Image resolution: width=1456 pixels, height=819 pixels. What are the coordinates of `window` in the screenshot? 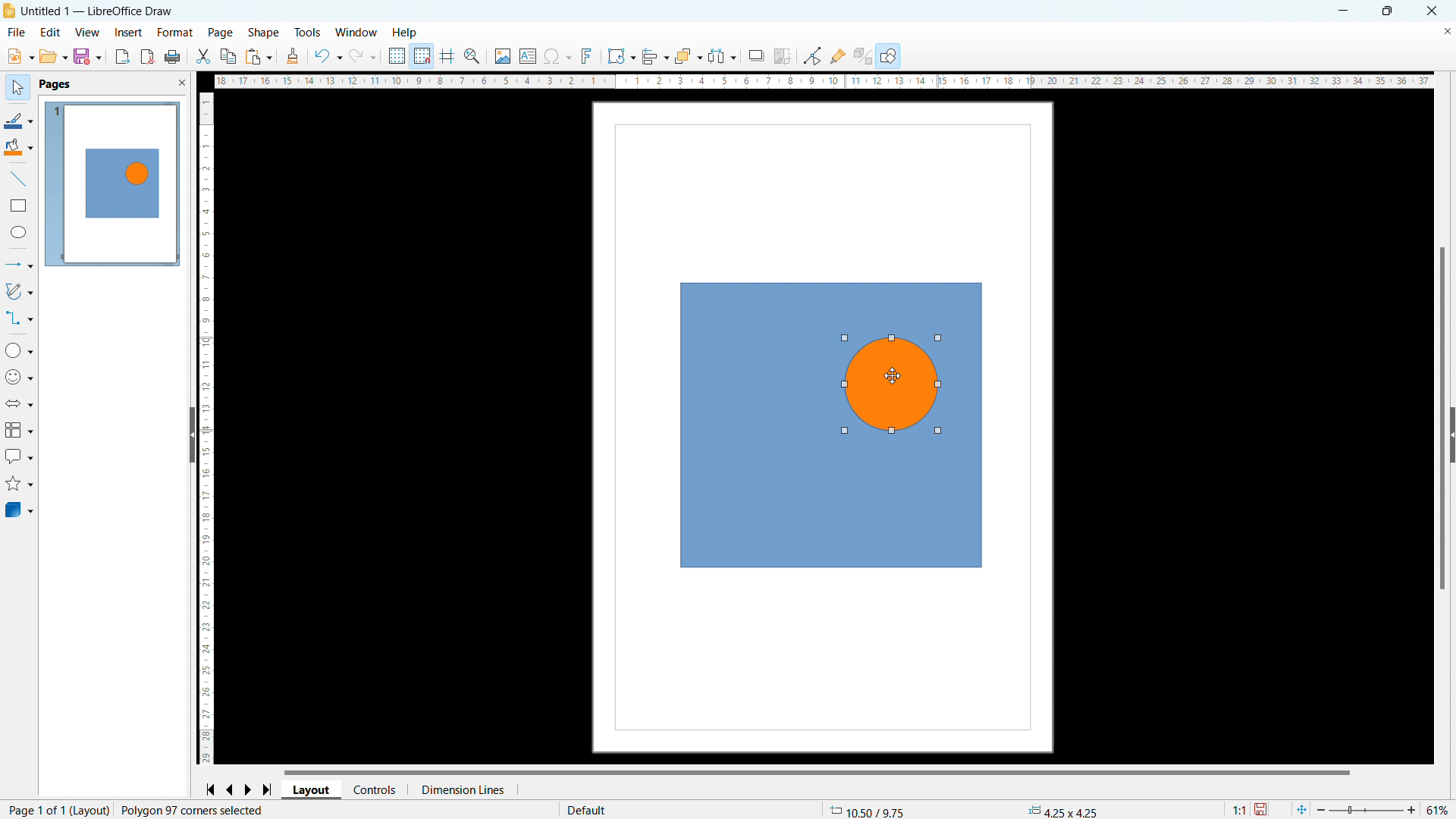 It's located at (356, 33).